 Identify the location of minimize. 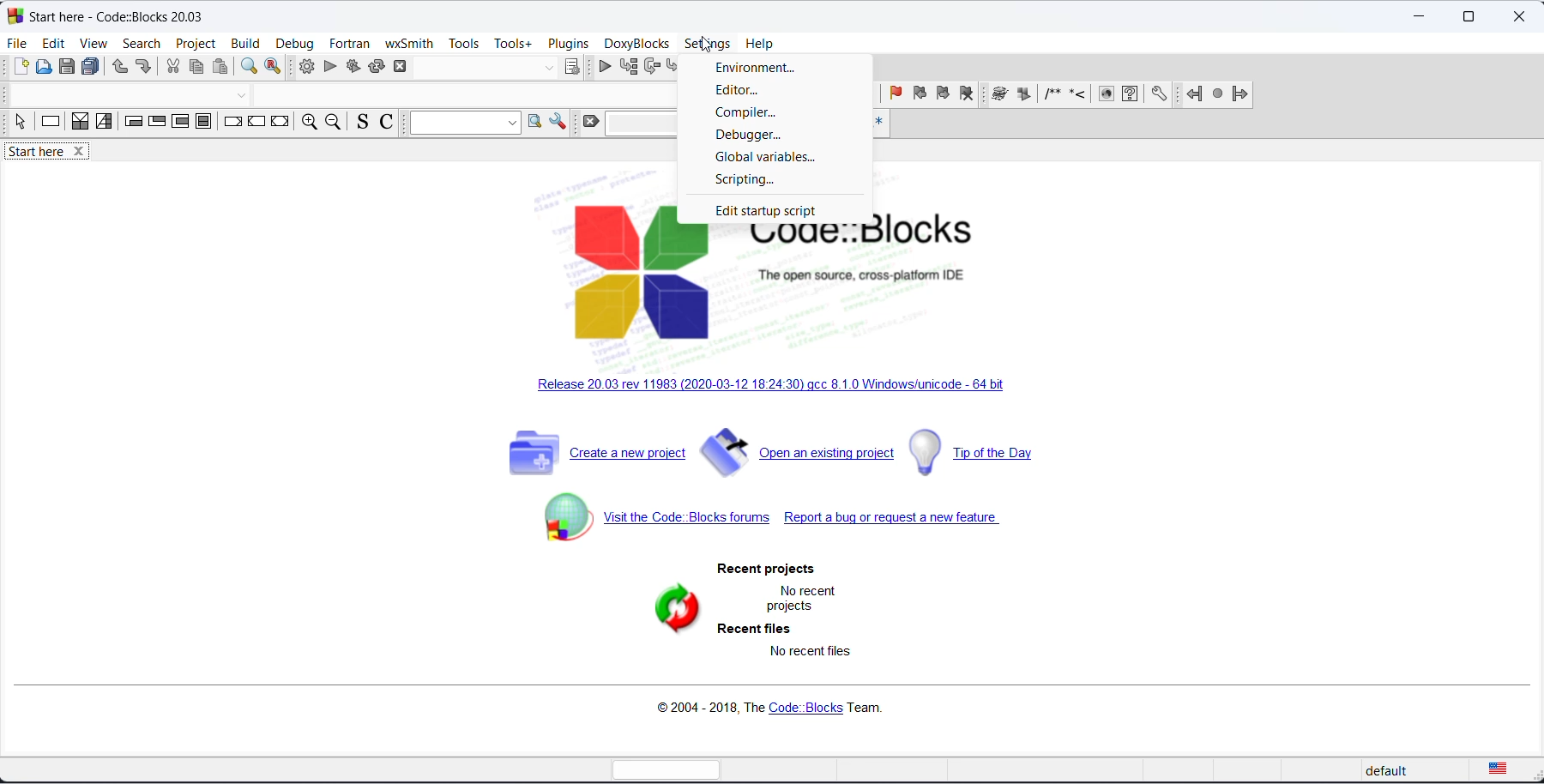
(1420, 17).